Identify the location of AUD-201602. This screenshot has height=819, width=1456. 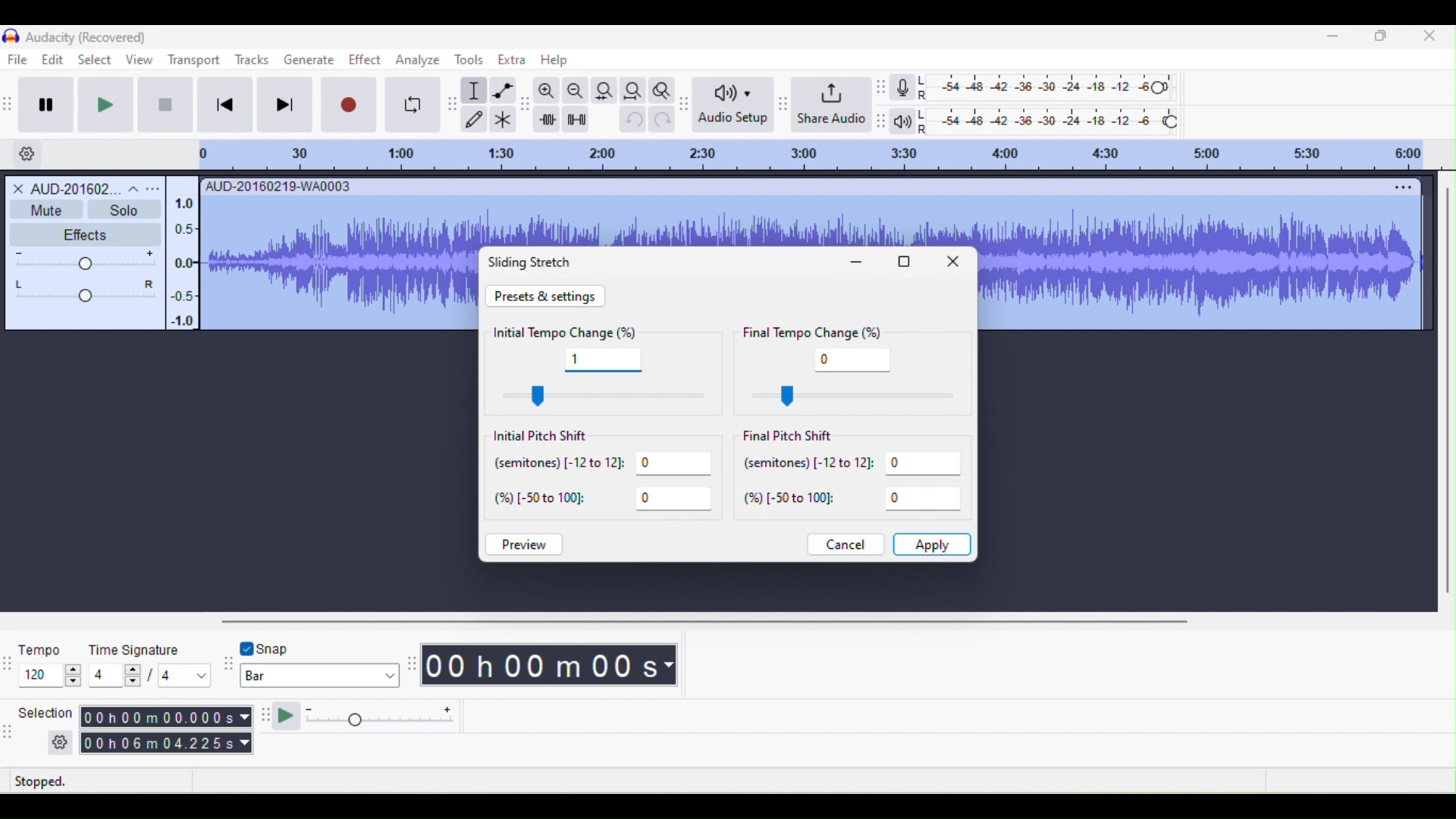
(85, 187).